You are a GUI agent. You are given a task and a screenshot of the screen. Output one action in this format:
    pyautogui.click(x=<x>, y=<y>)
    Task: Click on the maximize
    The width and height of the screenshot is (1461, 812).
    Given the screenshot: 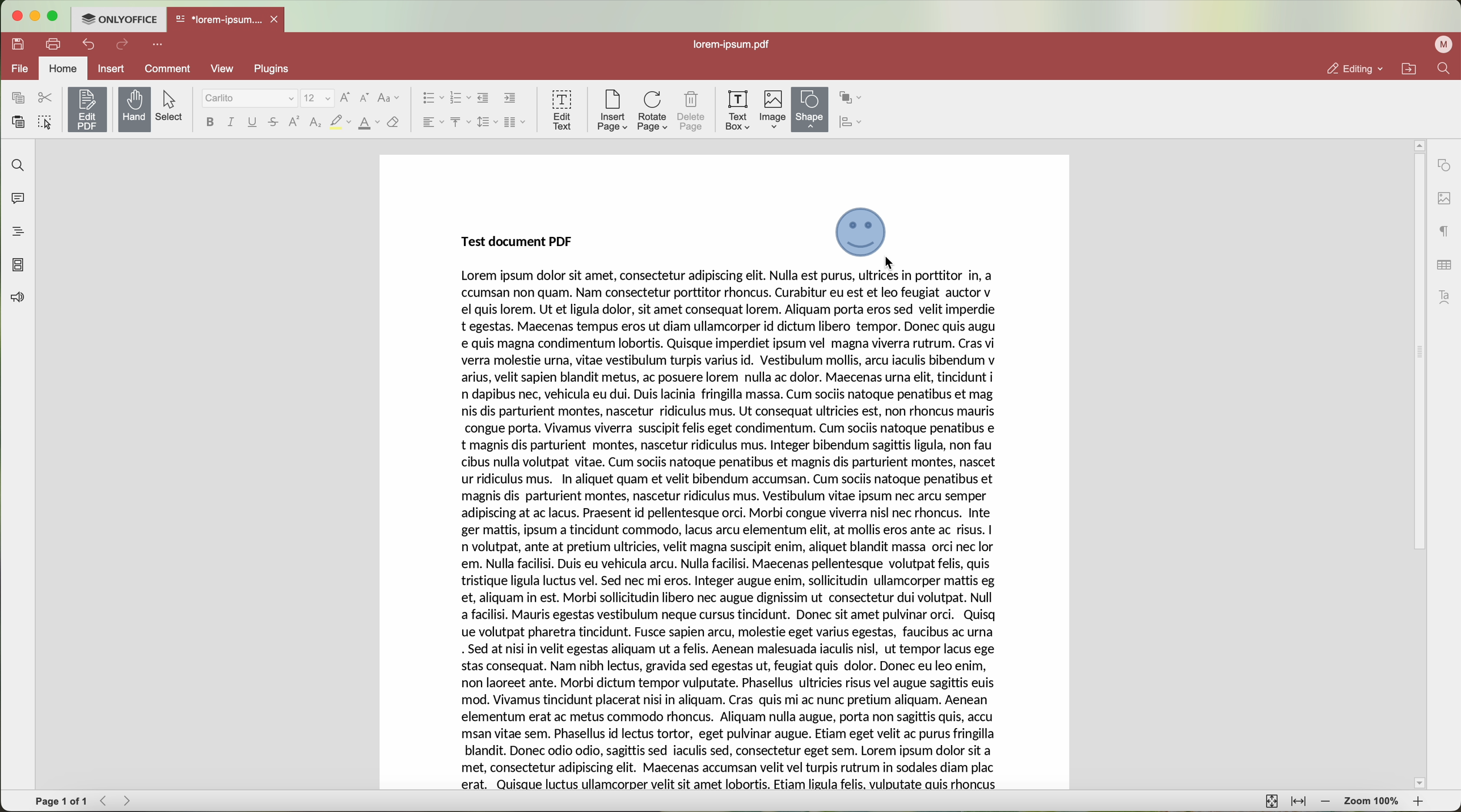 What is the action you would take?
    pyautogui.click(x=54, y=18)
    